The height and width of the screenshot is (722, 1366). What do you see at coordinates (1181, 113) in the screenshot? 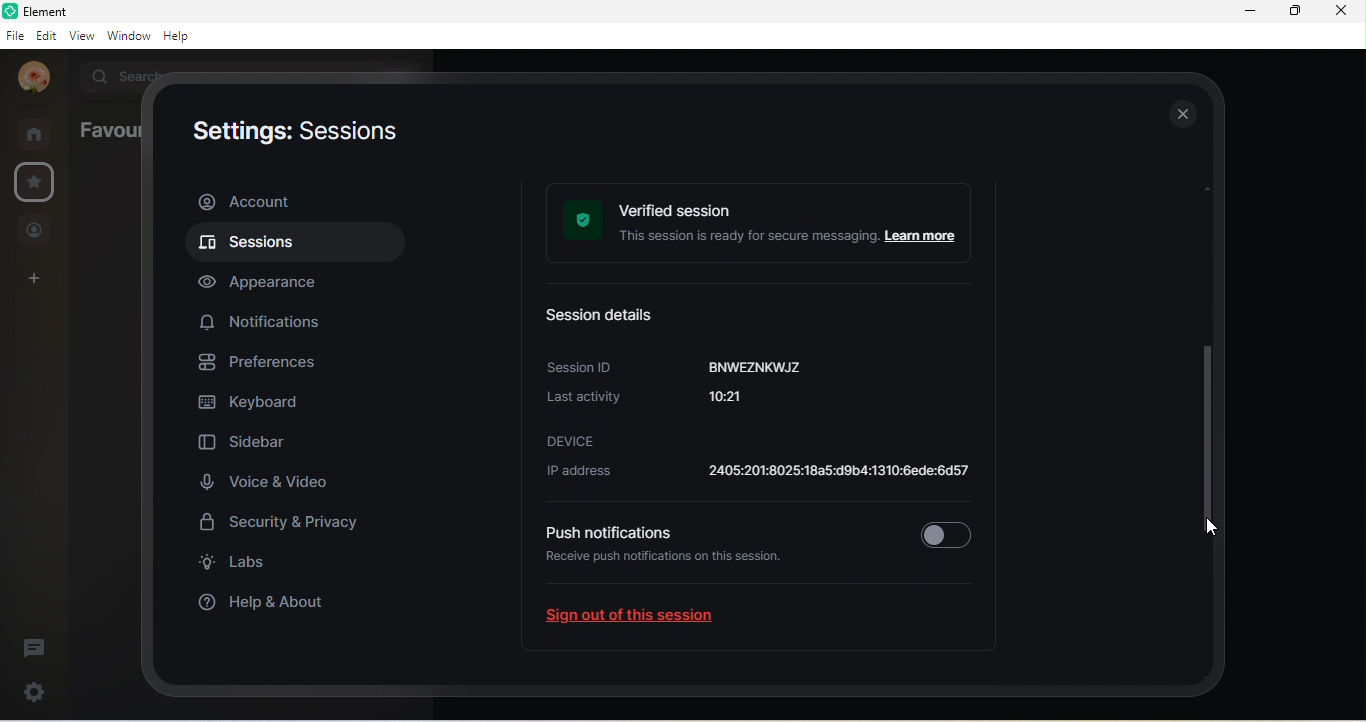
I see `close` at bounding box center [1181, 113].